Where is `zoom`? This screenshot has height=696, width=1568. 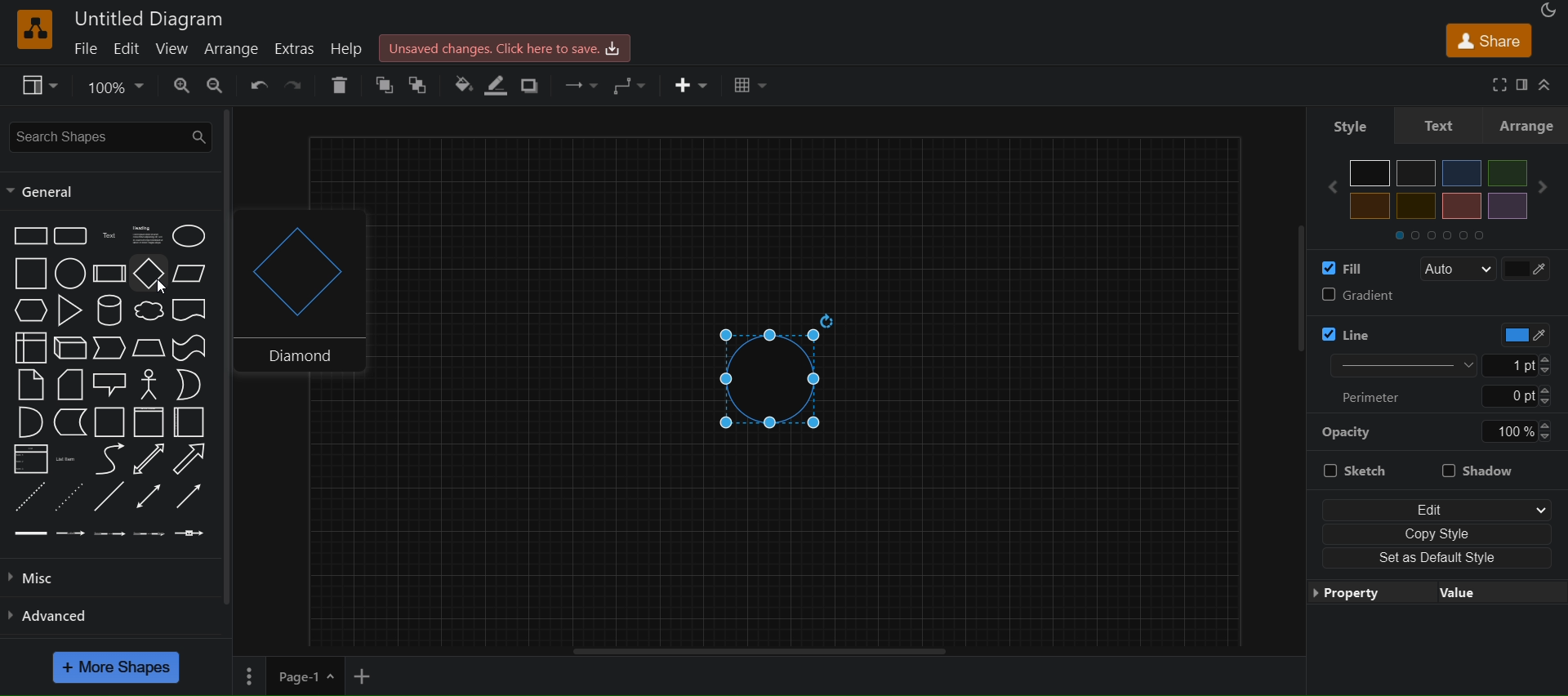
zoom is located at coordinates (118, 85).